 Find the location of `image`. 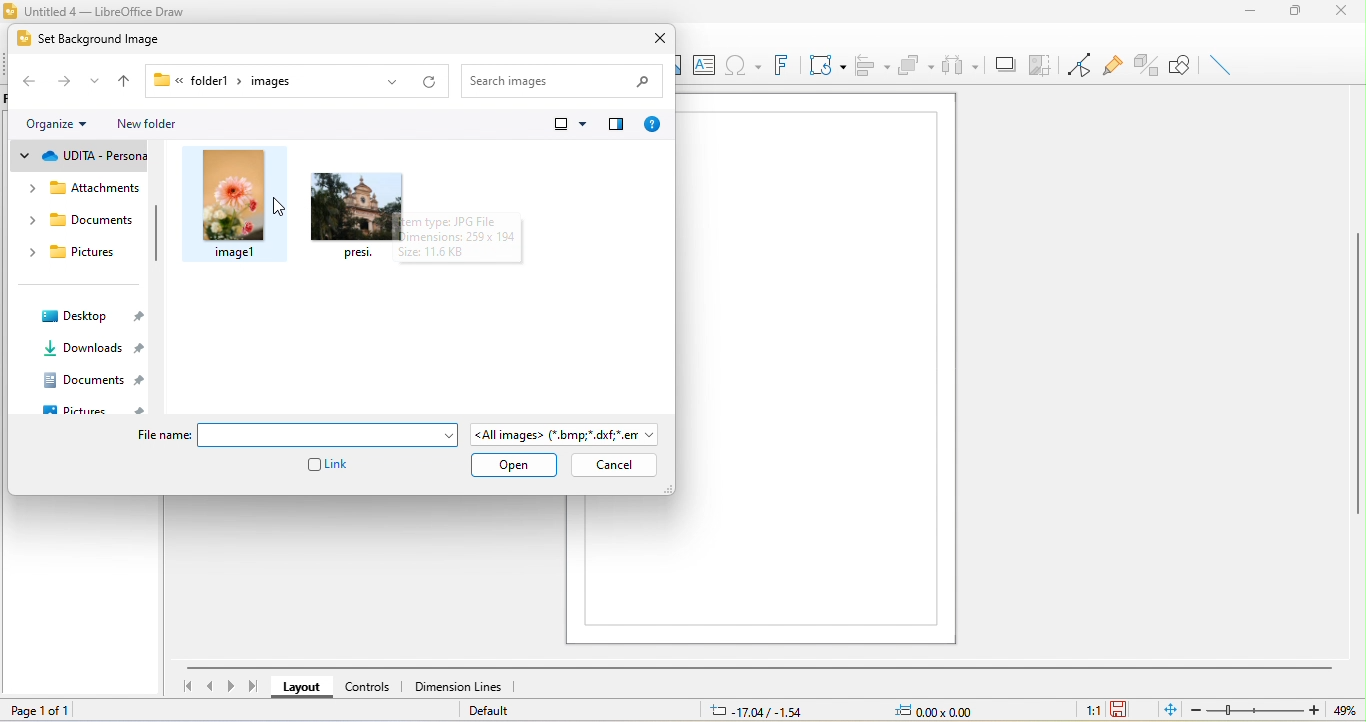

image is located at coordinates (356, 217).